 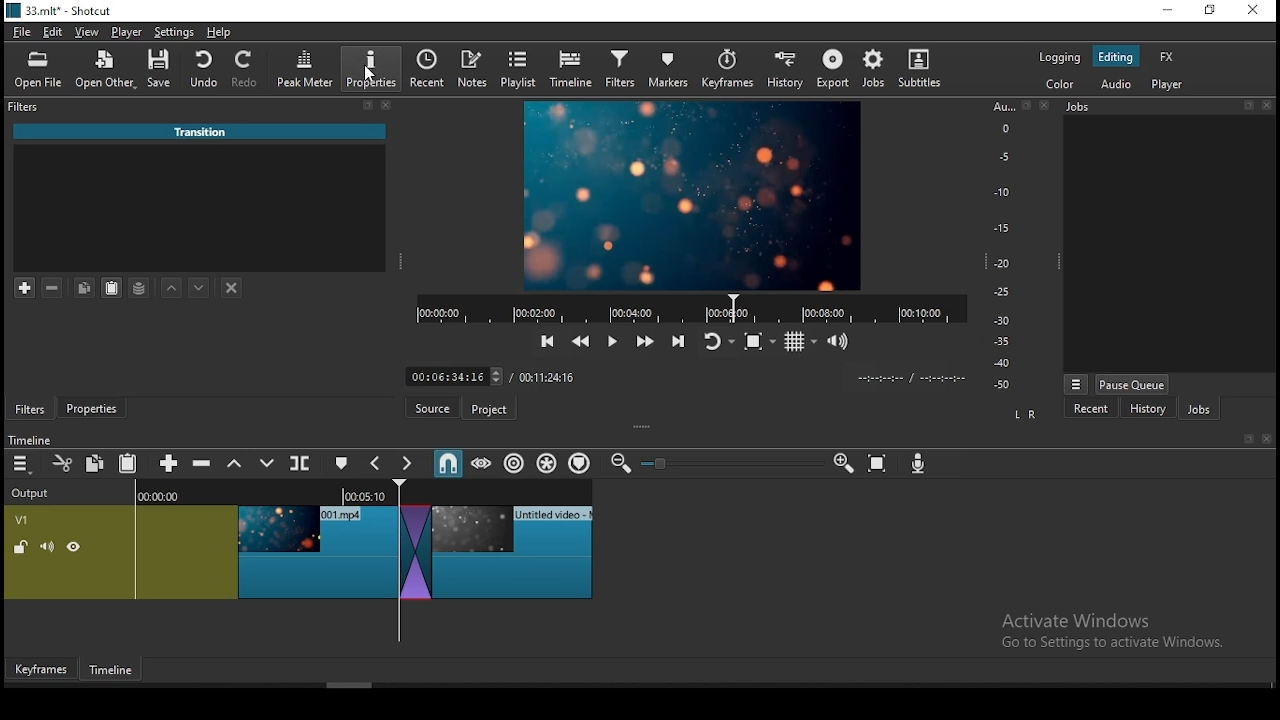 I want to click on snap, so click(x=447, y=463).